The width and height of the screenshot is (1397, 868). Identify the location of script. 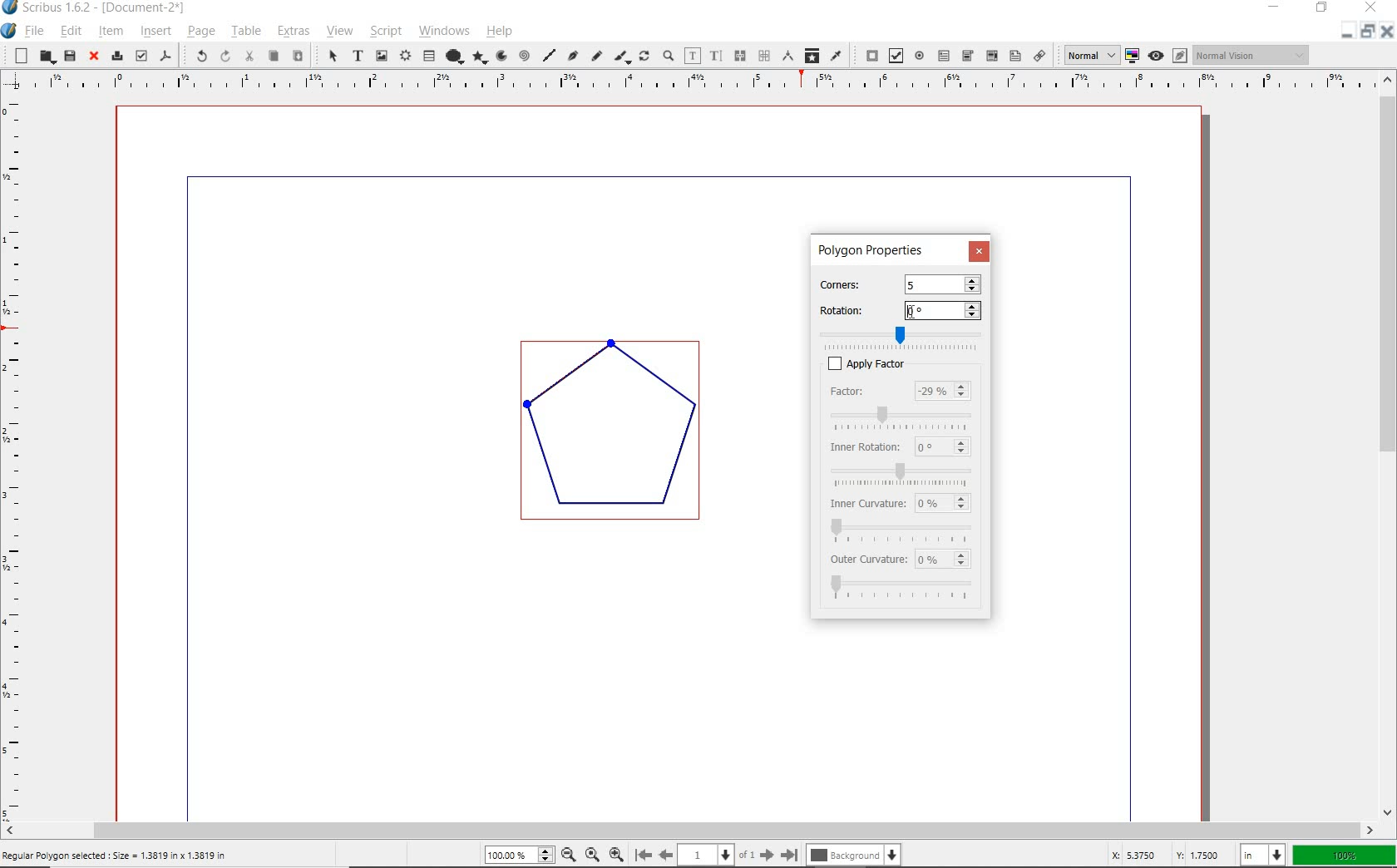
(384, 32).